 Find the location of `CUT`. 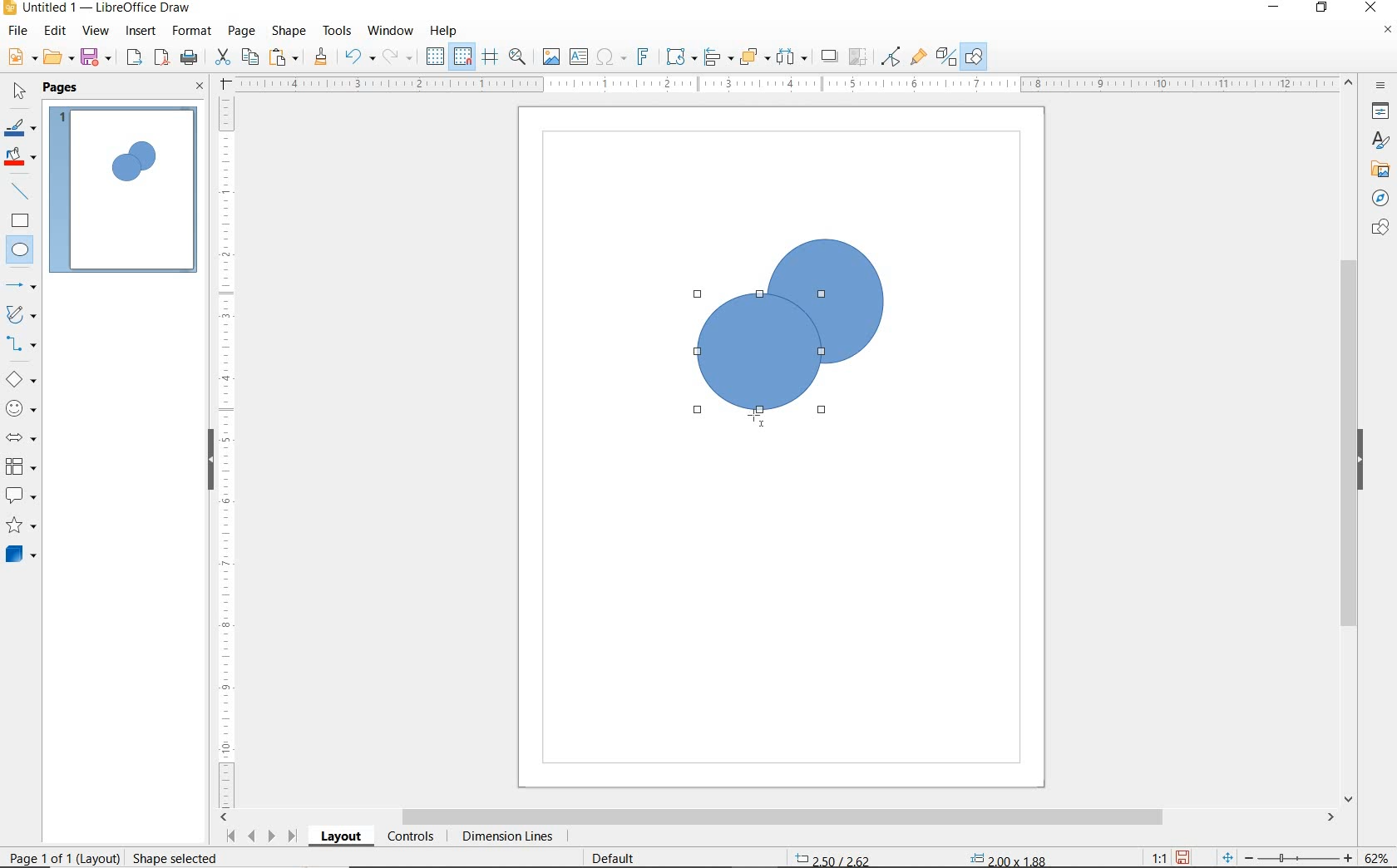

CUT is located at coordinates (223, 57).